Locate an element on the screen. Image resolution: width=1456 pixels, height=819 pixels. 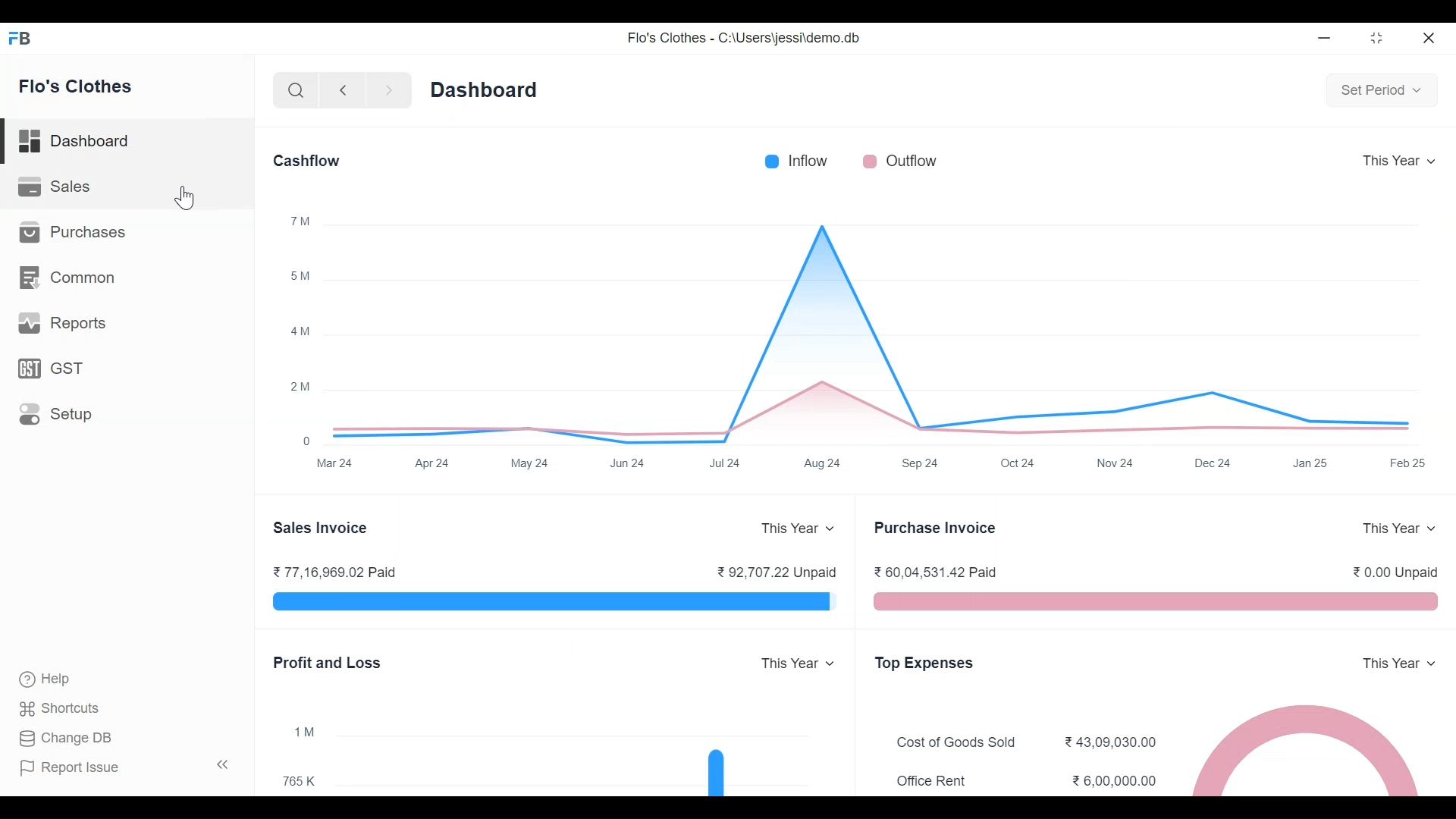
Cost of Goods Sold is located at coordinates (959, 743).